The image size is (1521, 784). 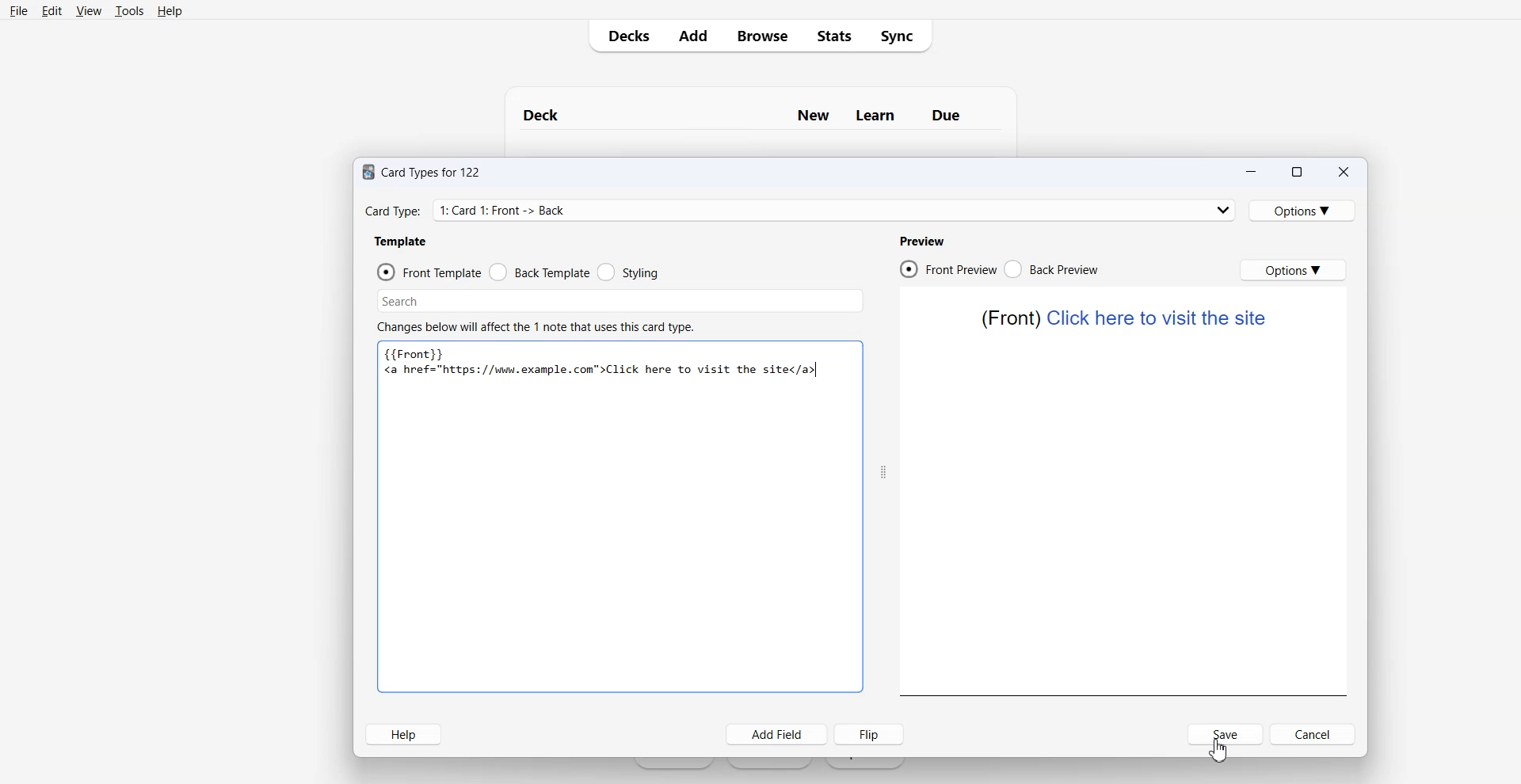 What do you see at coordinates (625, 36) in the screenshot?
I see `Decks` at bounding box center [625, 36].